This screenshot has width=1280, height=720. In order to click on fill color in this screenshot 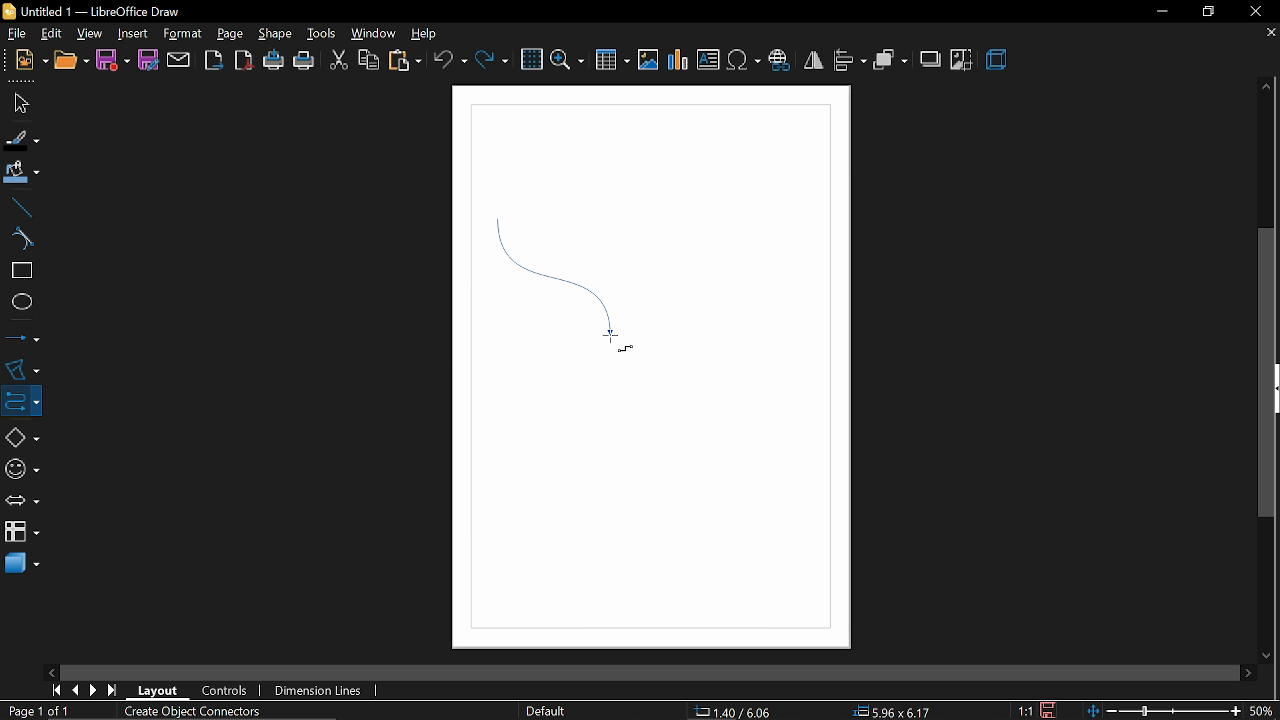, I will do `click(22, 173)`.